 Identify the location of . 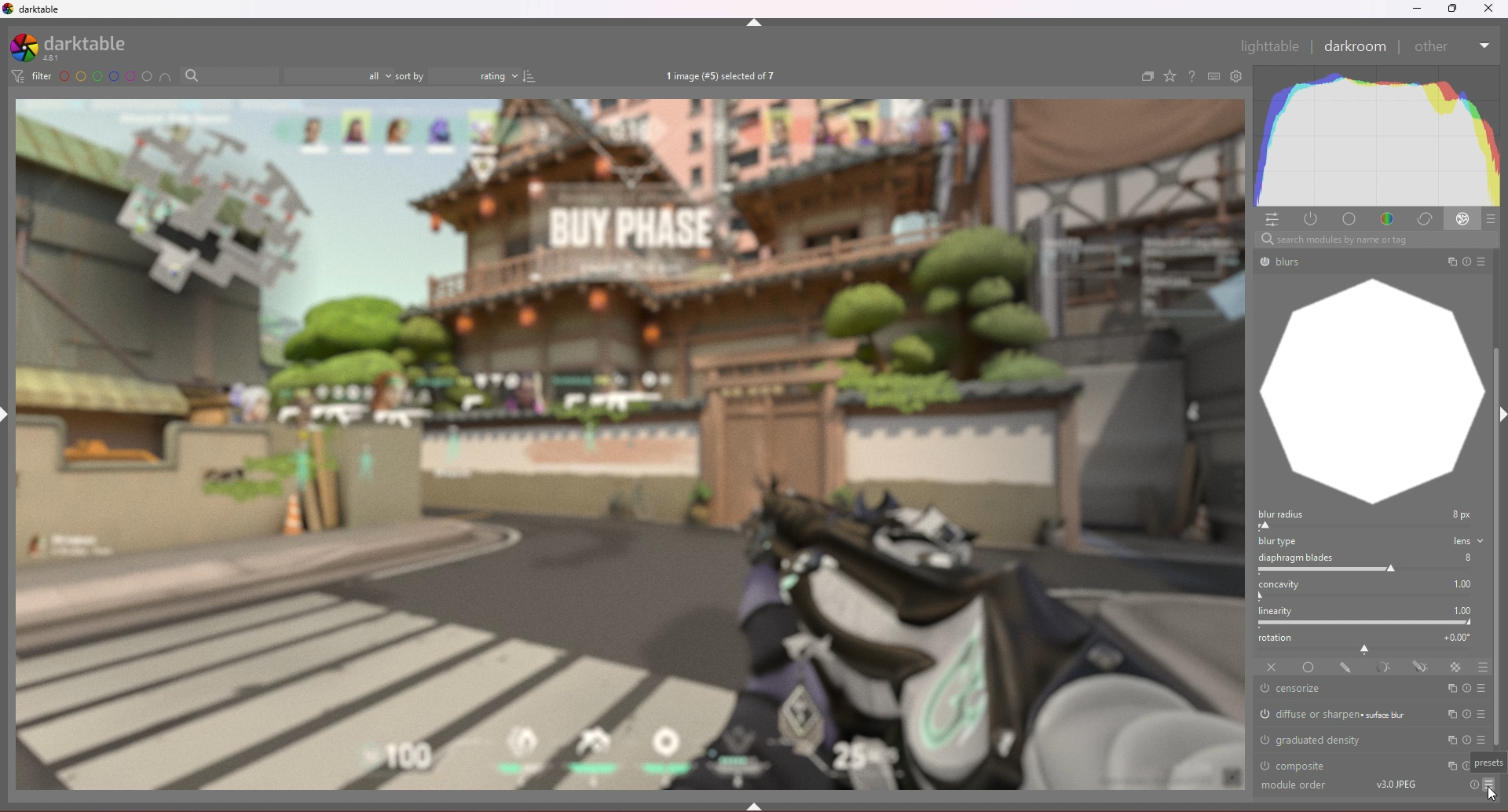
(1470, 262).